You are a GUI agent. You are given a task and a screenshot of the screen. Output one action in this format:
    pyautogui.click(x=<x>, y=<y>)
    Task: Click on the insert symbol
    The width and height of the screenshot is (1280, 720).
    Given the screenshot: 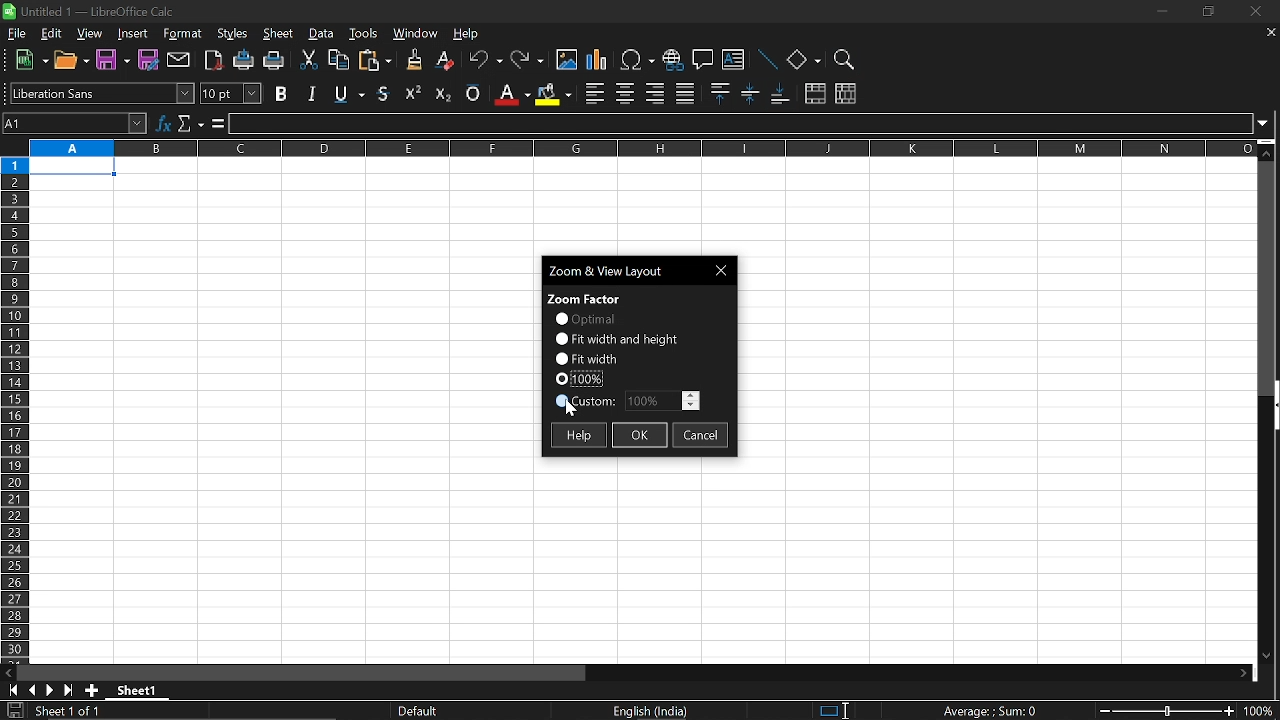 What is the action you would take?
    pyautogui.click(x=637, y=60)
    